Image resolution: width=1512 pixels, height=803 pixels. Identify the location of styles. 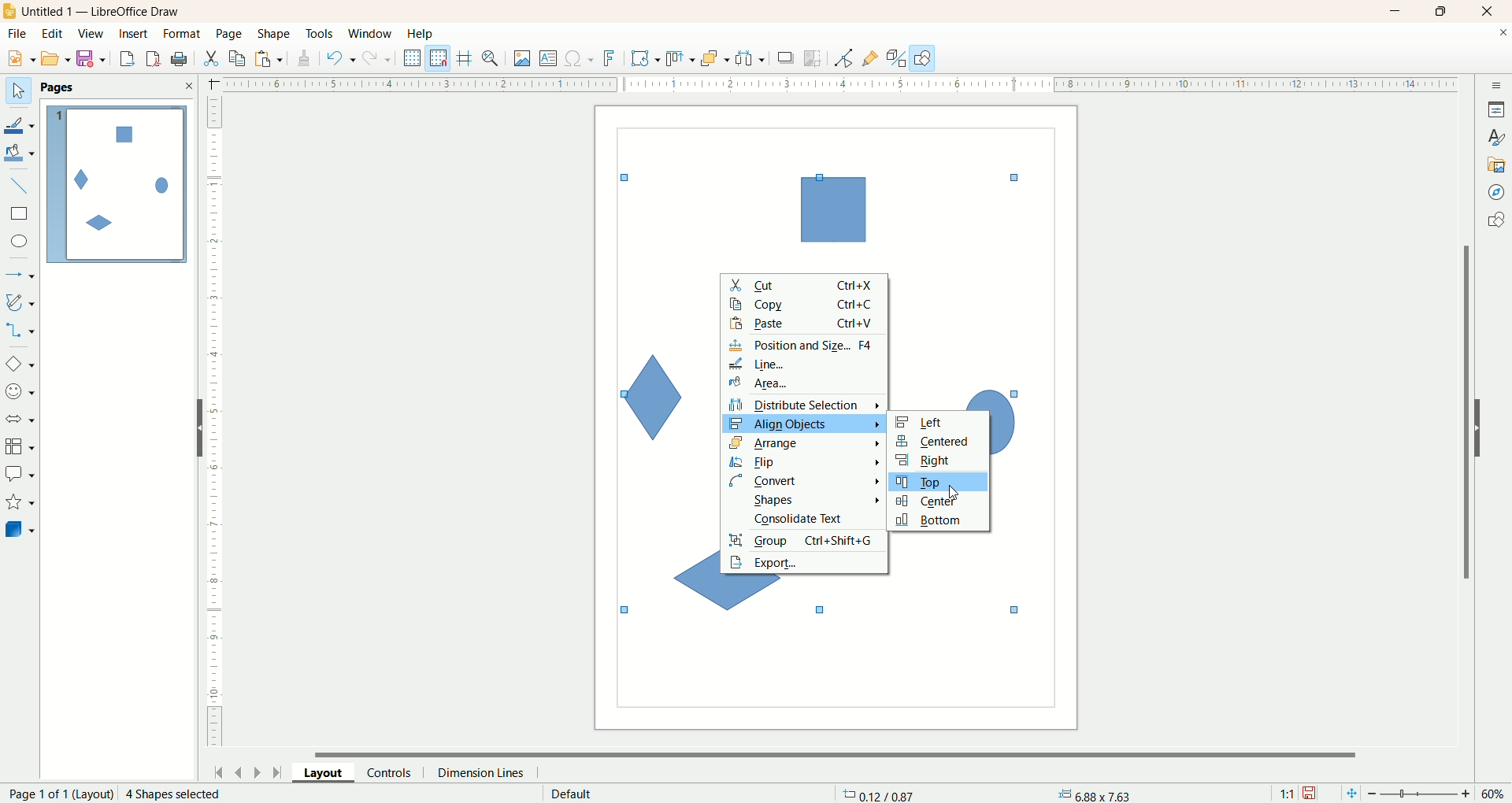
(1496, 135).